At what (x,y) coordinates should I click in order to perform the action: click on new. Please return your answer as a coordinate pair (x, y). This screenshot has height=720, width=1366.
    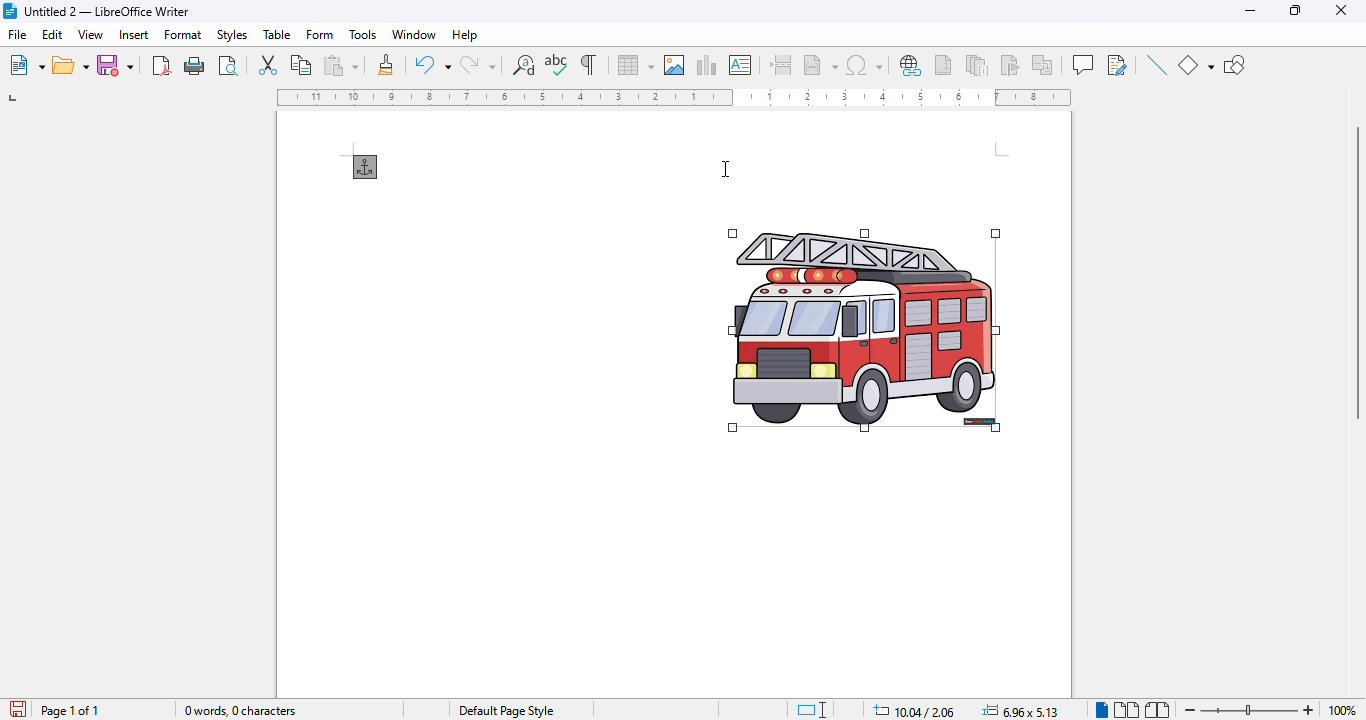
    Looking at the image, I should click on (26, 65).